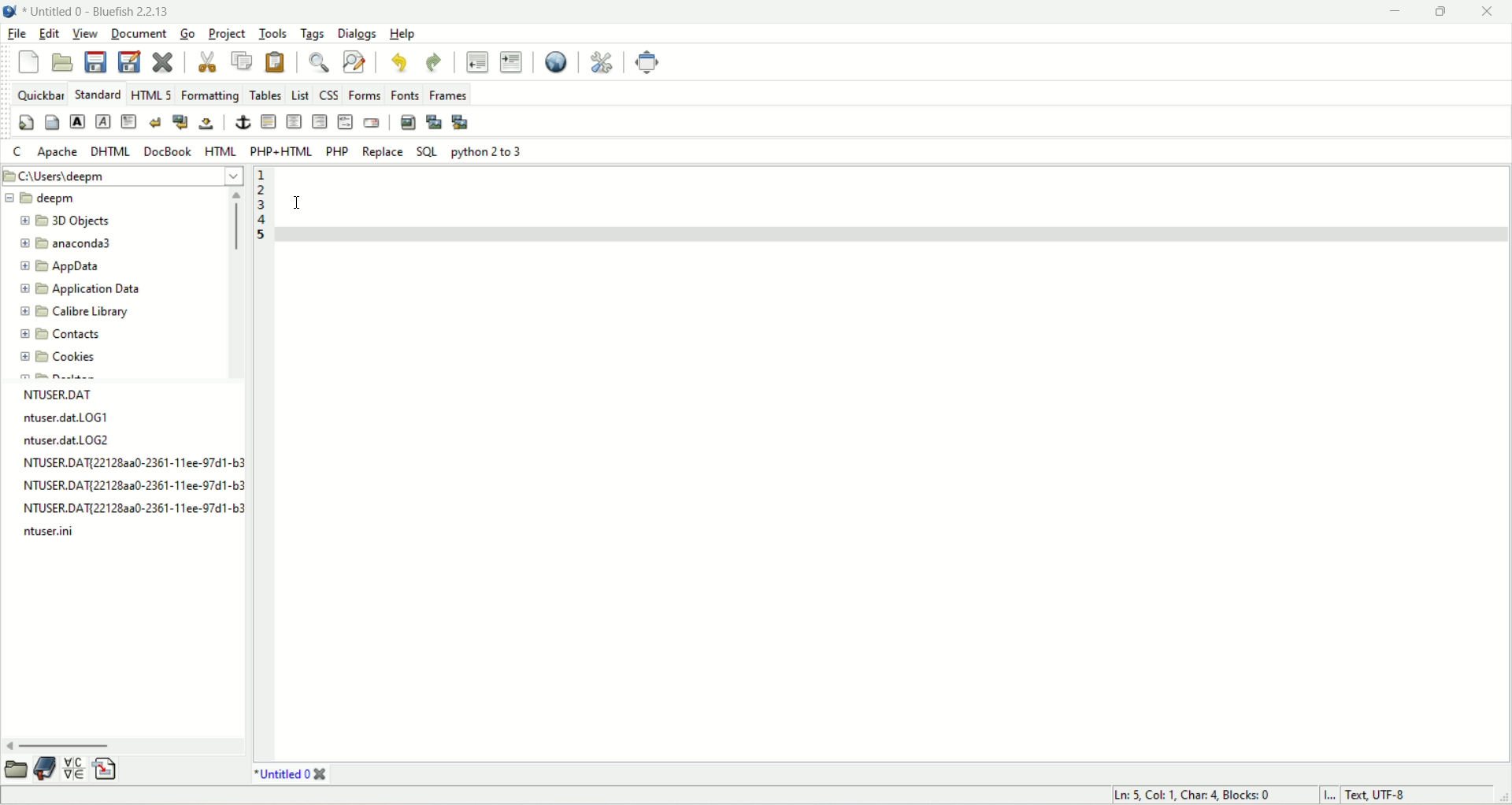 The width and height of the screenshot is (1512, 805). What do you see at coordinates (58, 152) in the screenshot?
I see `apache` at bounding box center [58, 152].